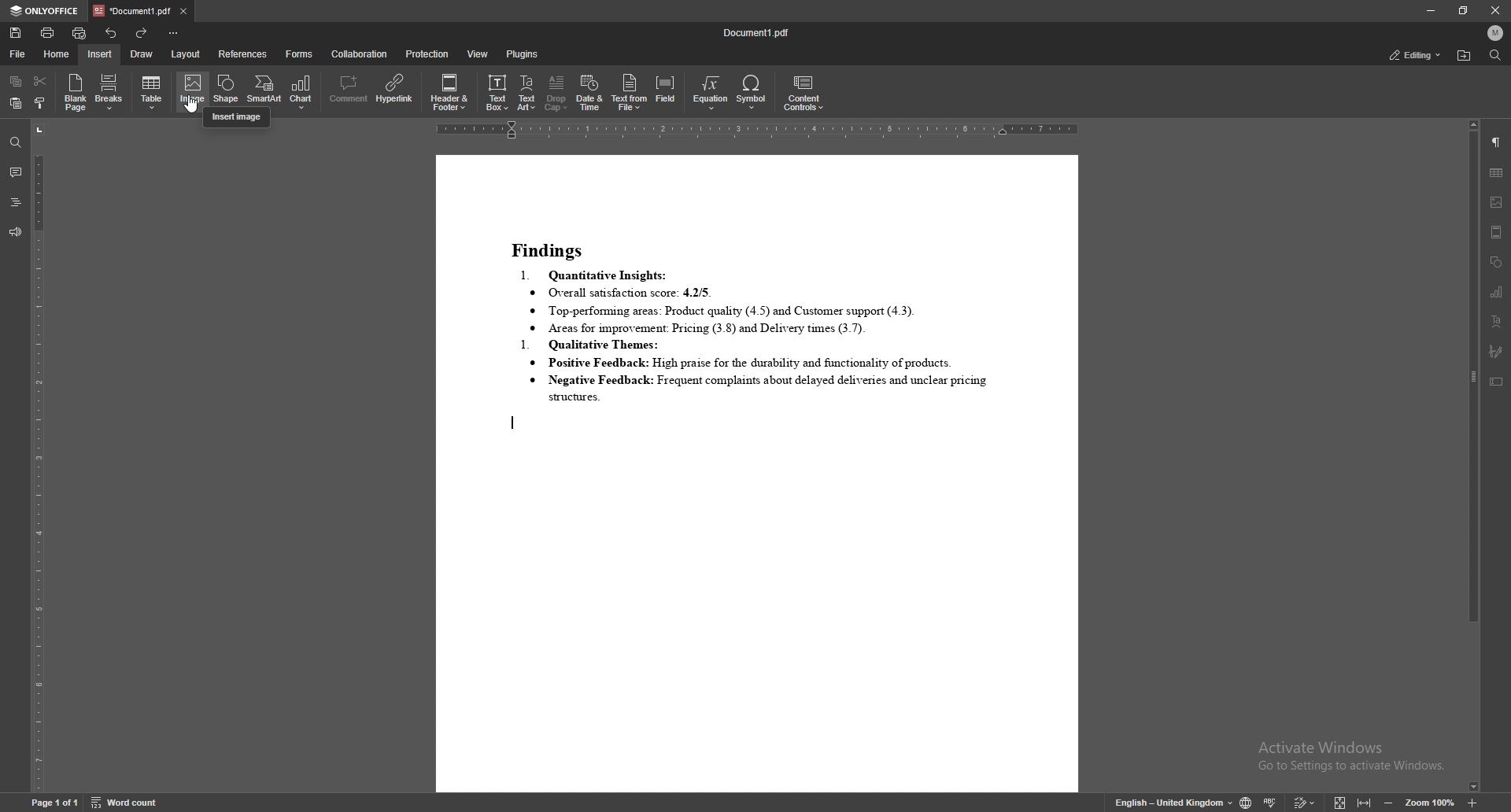  I want to click on resize, so click(1465, 11).